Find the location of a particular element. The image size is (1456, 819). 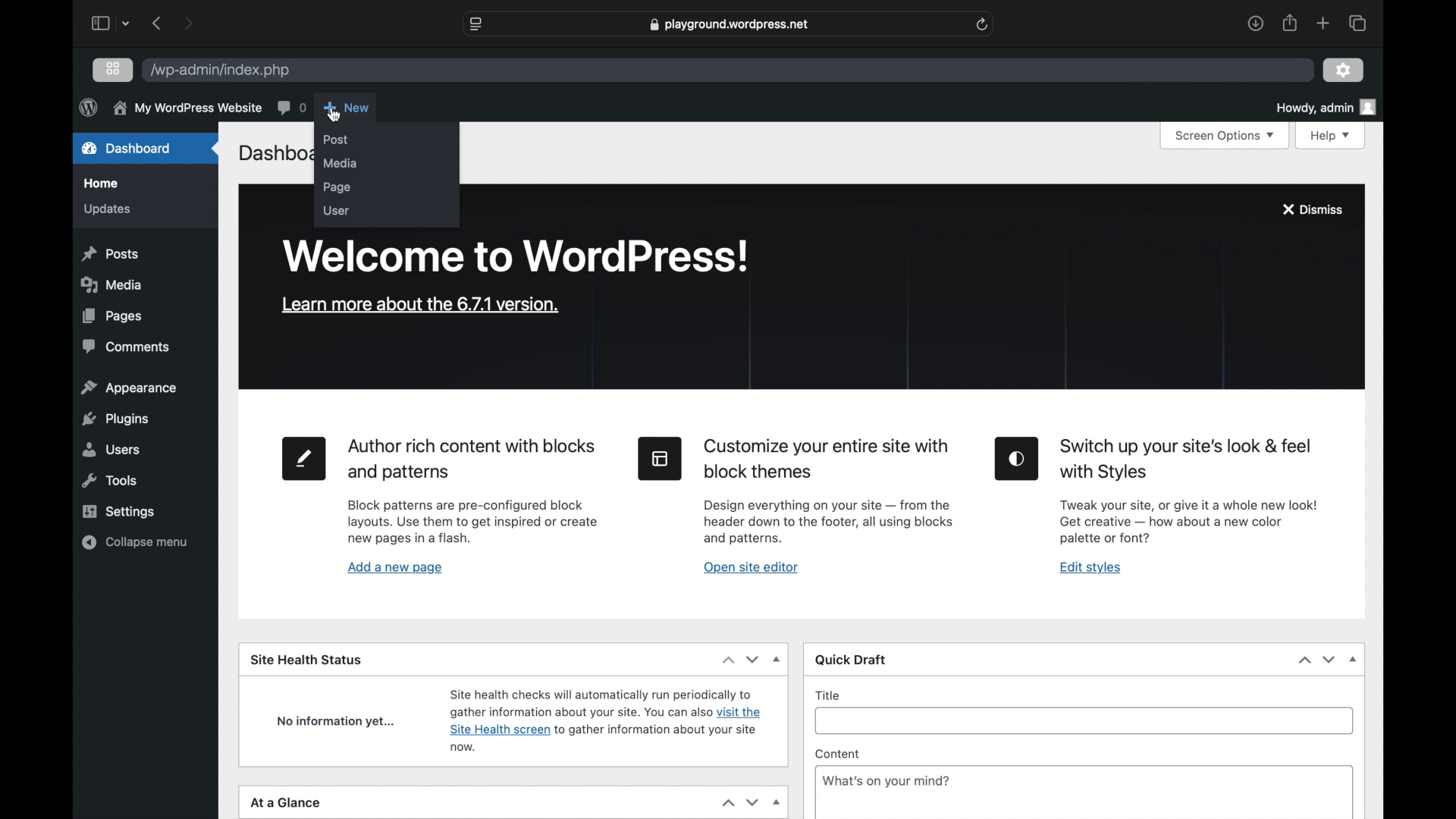

posts is located at coordinates (112, 253).